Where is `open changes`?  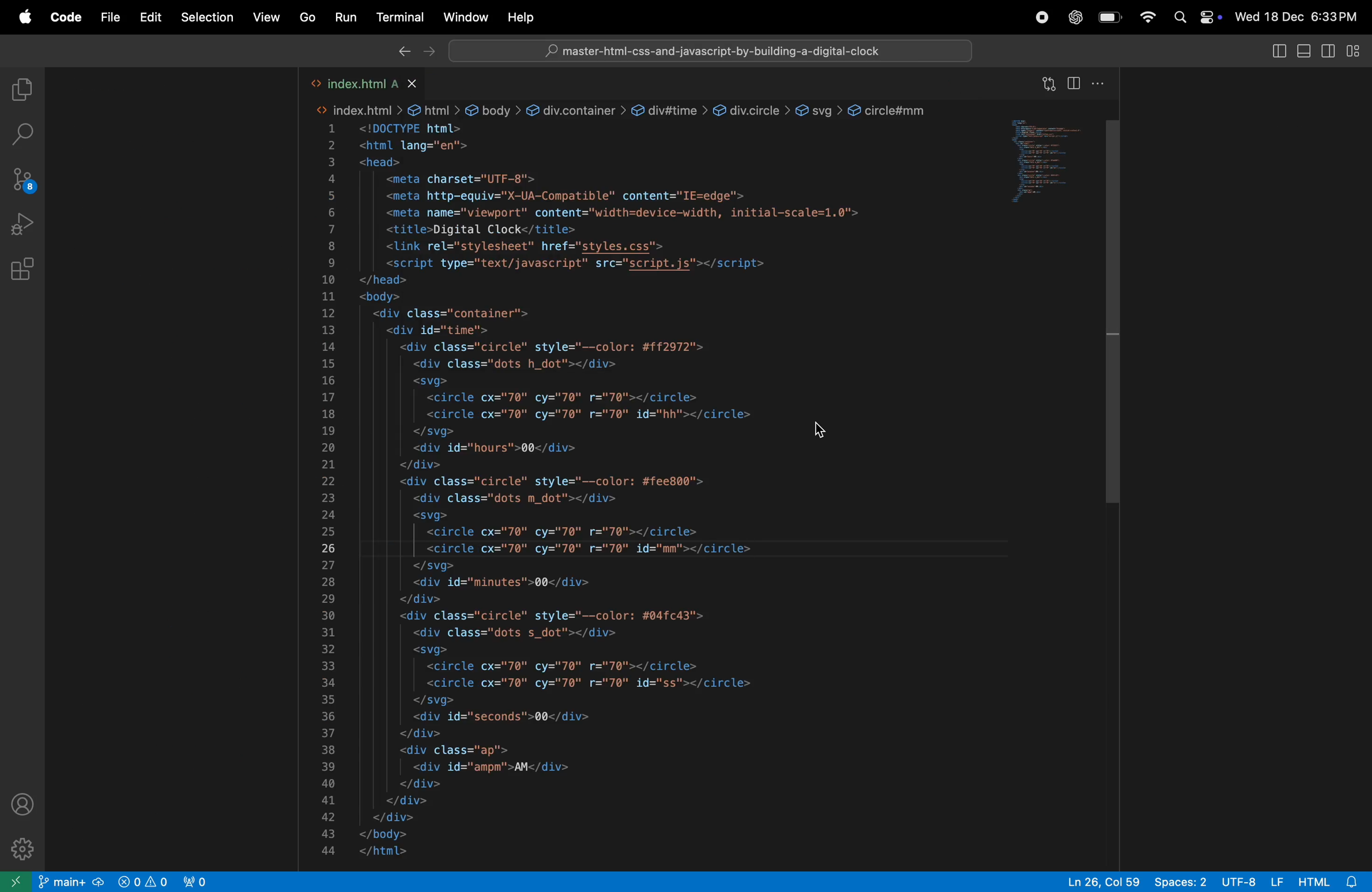
open changes is located at coordinates (1047, 84).